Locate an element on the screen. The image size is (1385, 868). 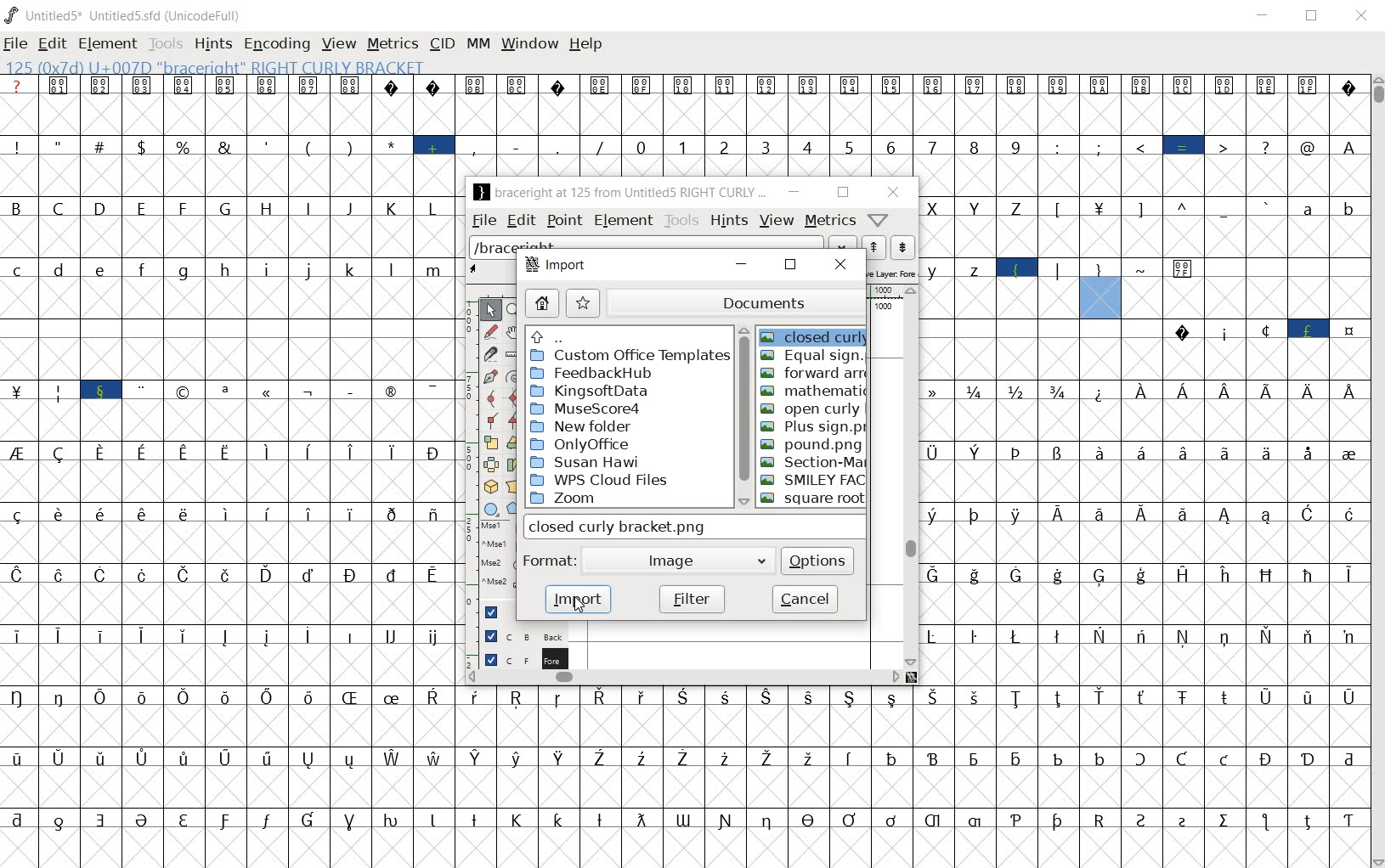
FeedbackHub is located at coordinates (592, 375).